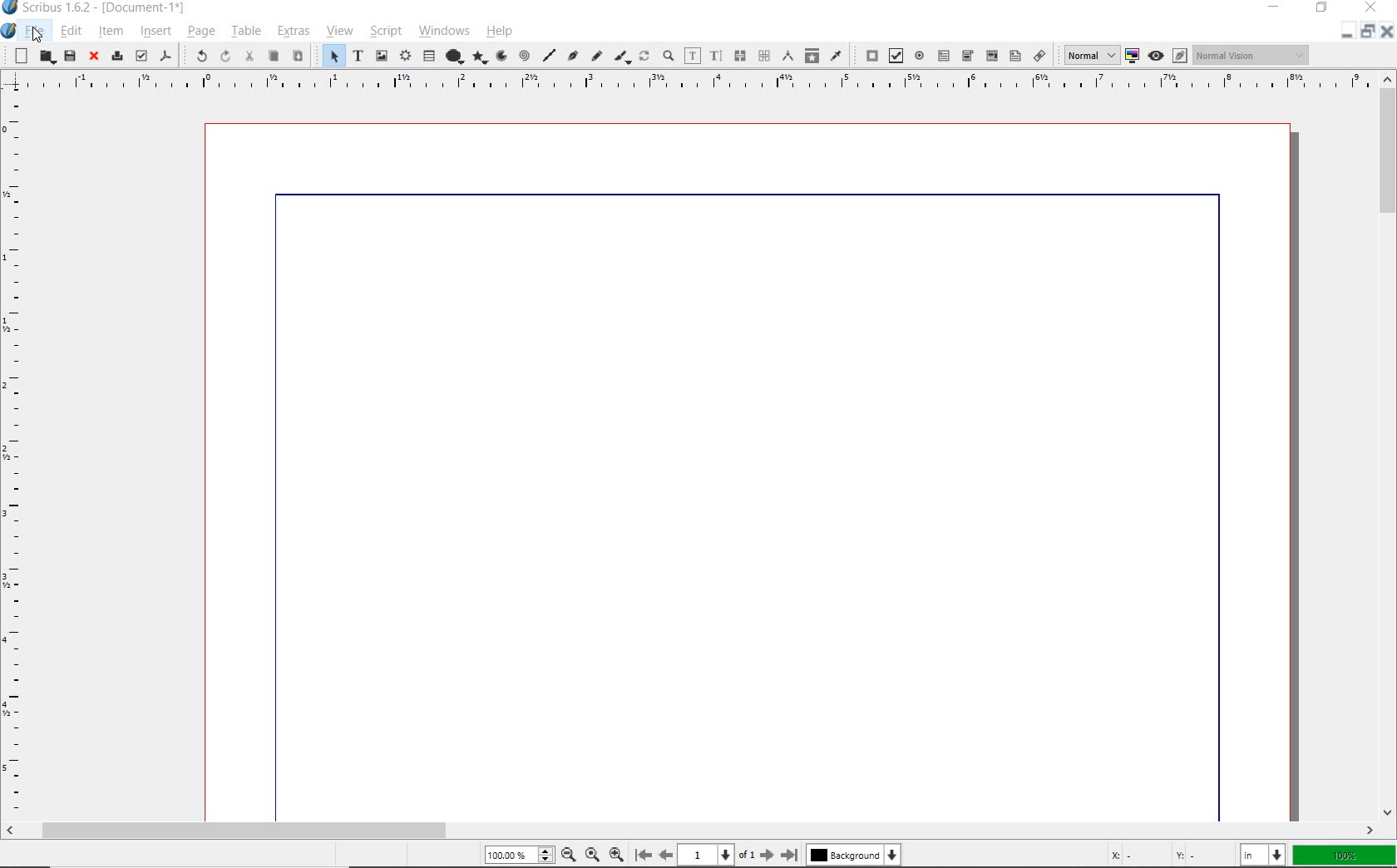 This screenshot has width=1397, height=868. Describe the element at coordinates (427, 57) in the screenshot. I see `table` at that location.